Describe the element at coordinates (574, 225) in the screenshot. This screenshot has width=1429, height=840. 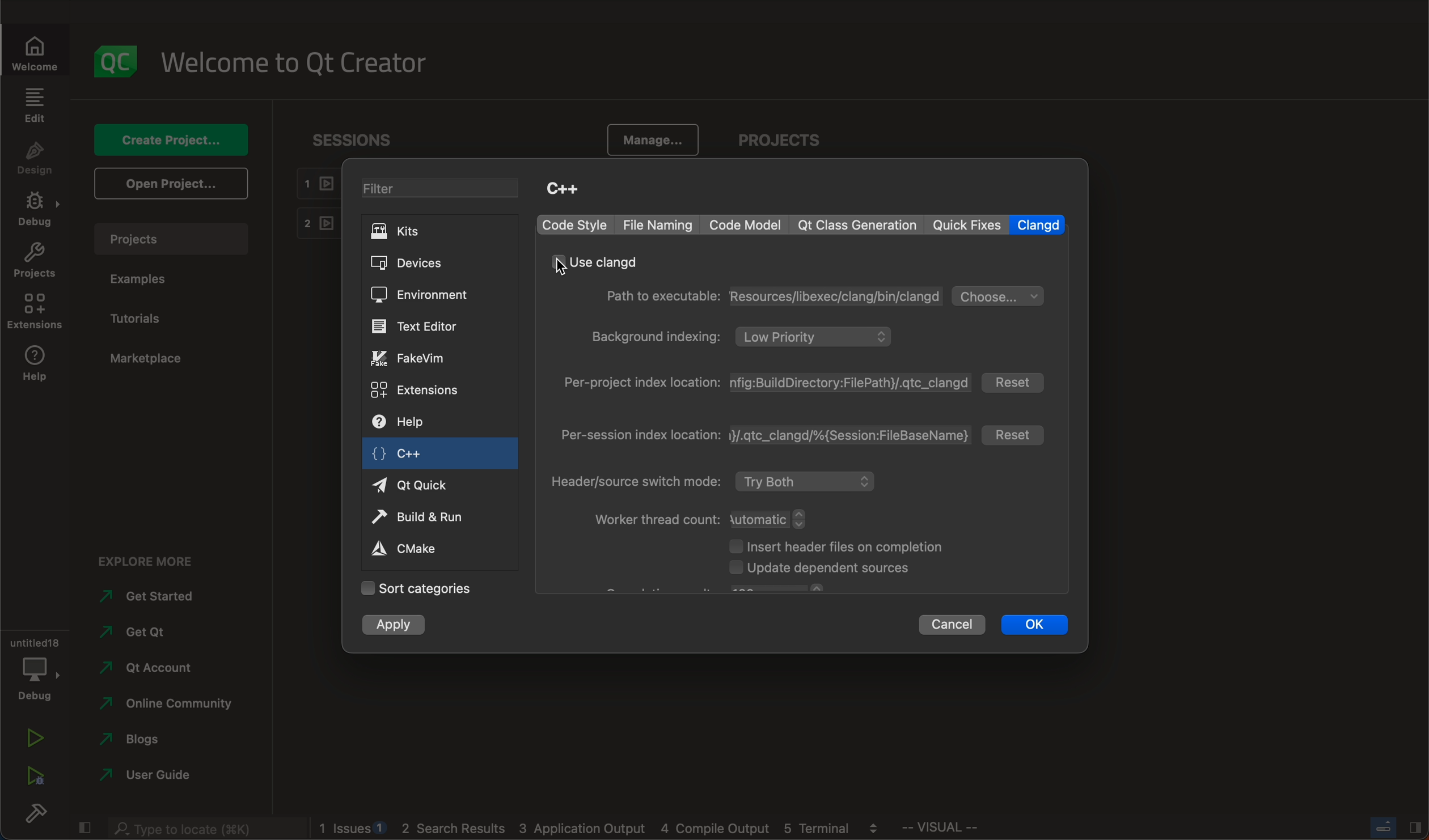
I see `code style` at that location.